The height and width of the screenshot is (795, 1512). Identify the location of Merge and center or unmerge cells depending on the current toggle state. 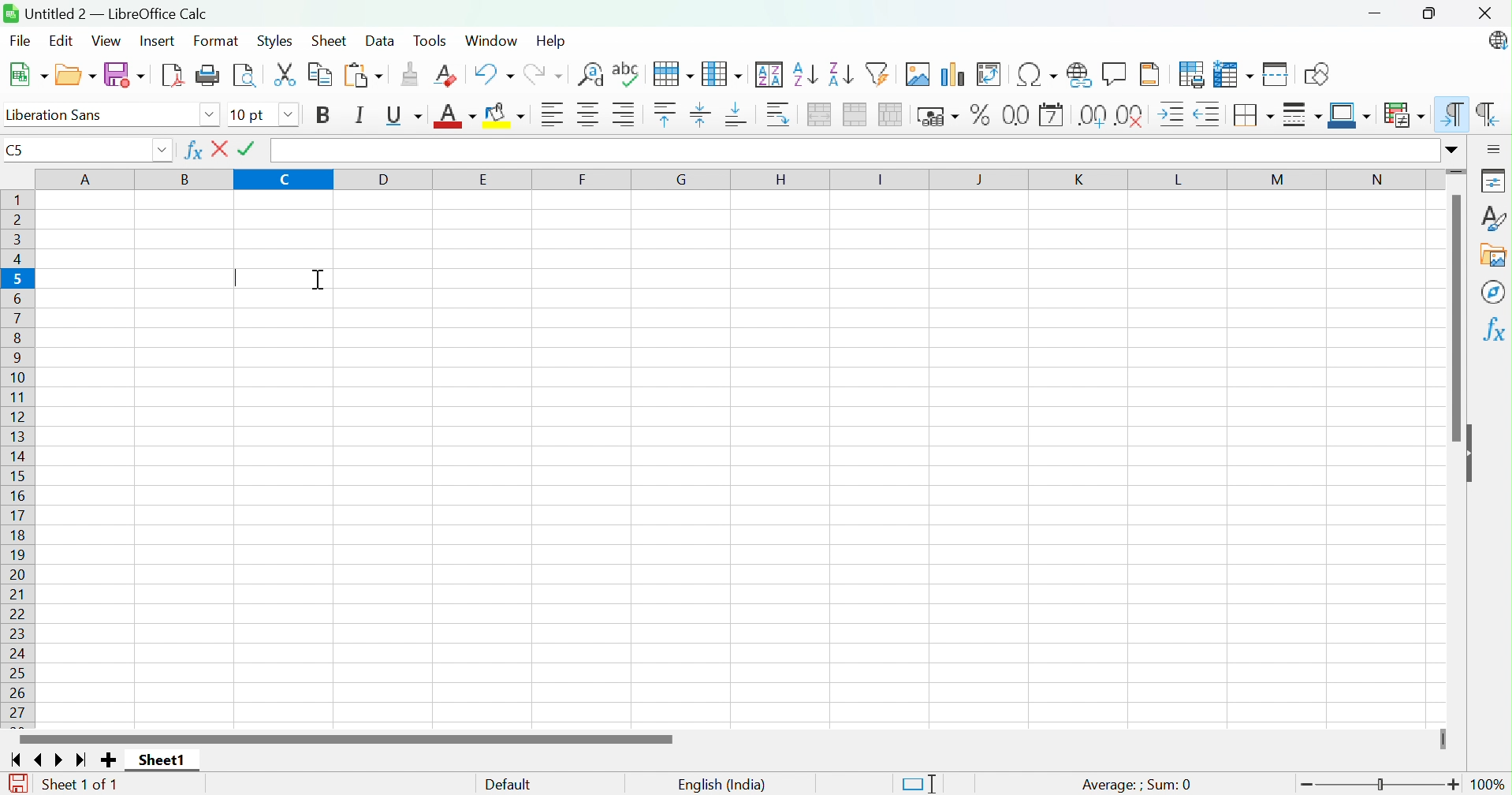
(821, 115).